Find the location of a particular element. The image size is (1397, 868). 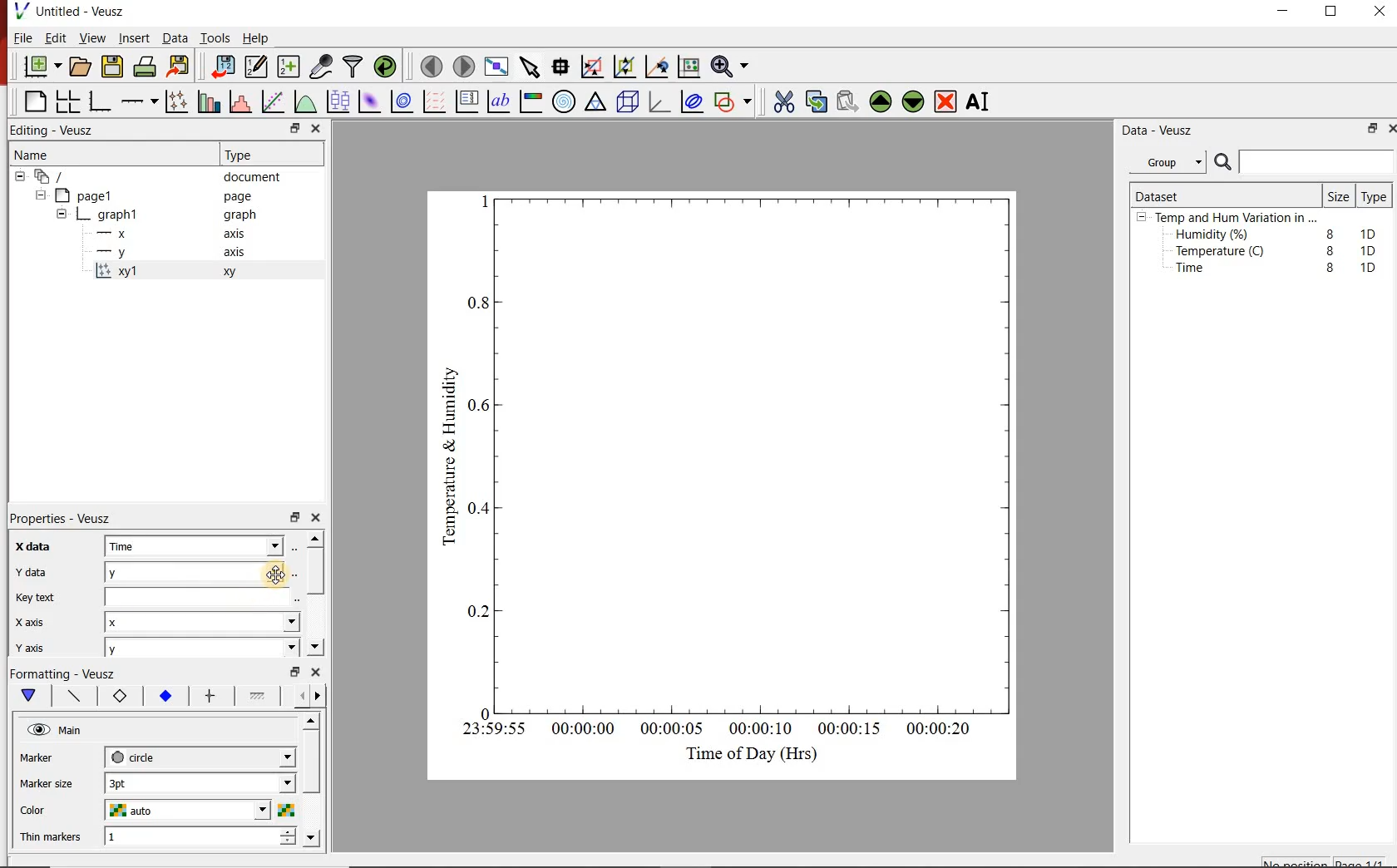

marker border is located at coordinates (121, 698).